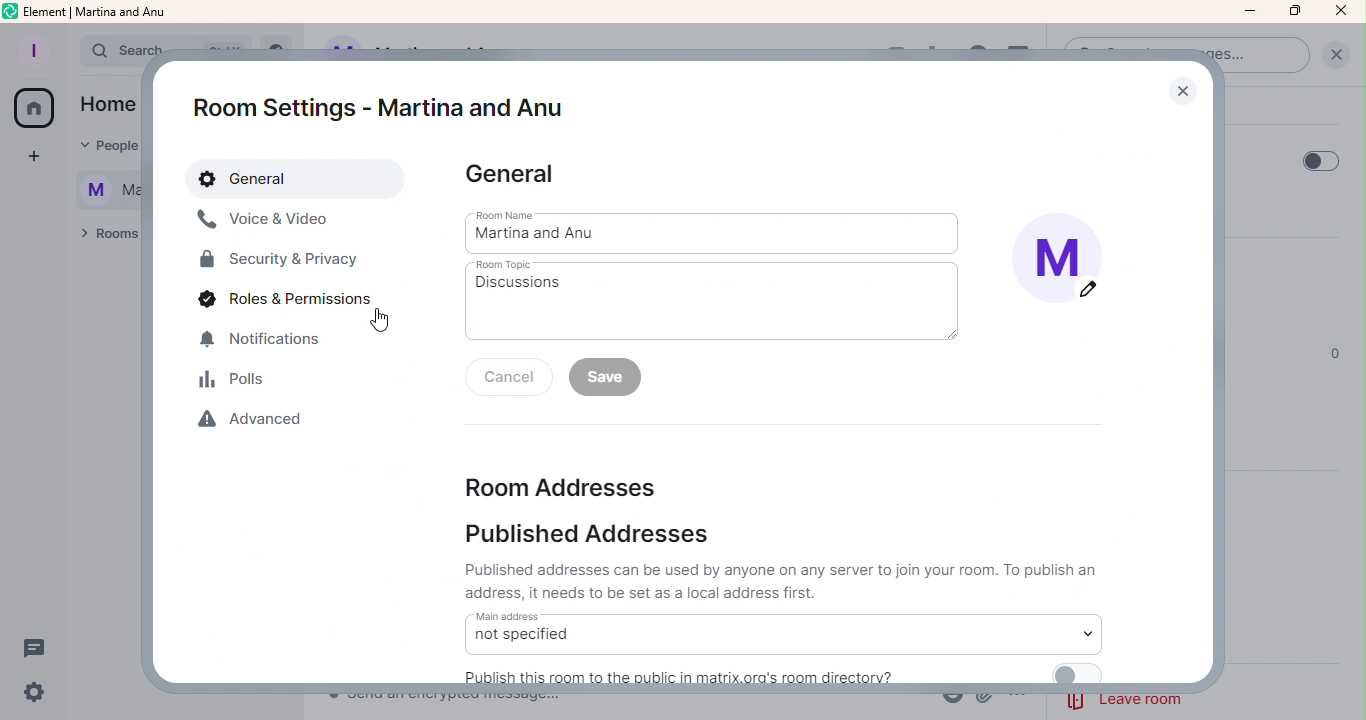  What do you see at coordinates (1062, 258) in the screenshot?
I see `Display image` at bounding box center [1062, 258].